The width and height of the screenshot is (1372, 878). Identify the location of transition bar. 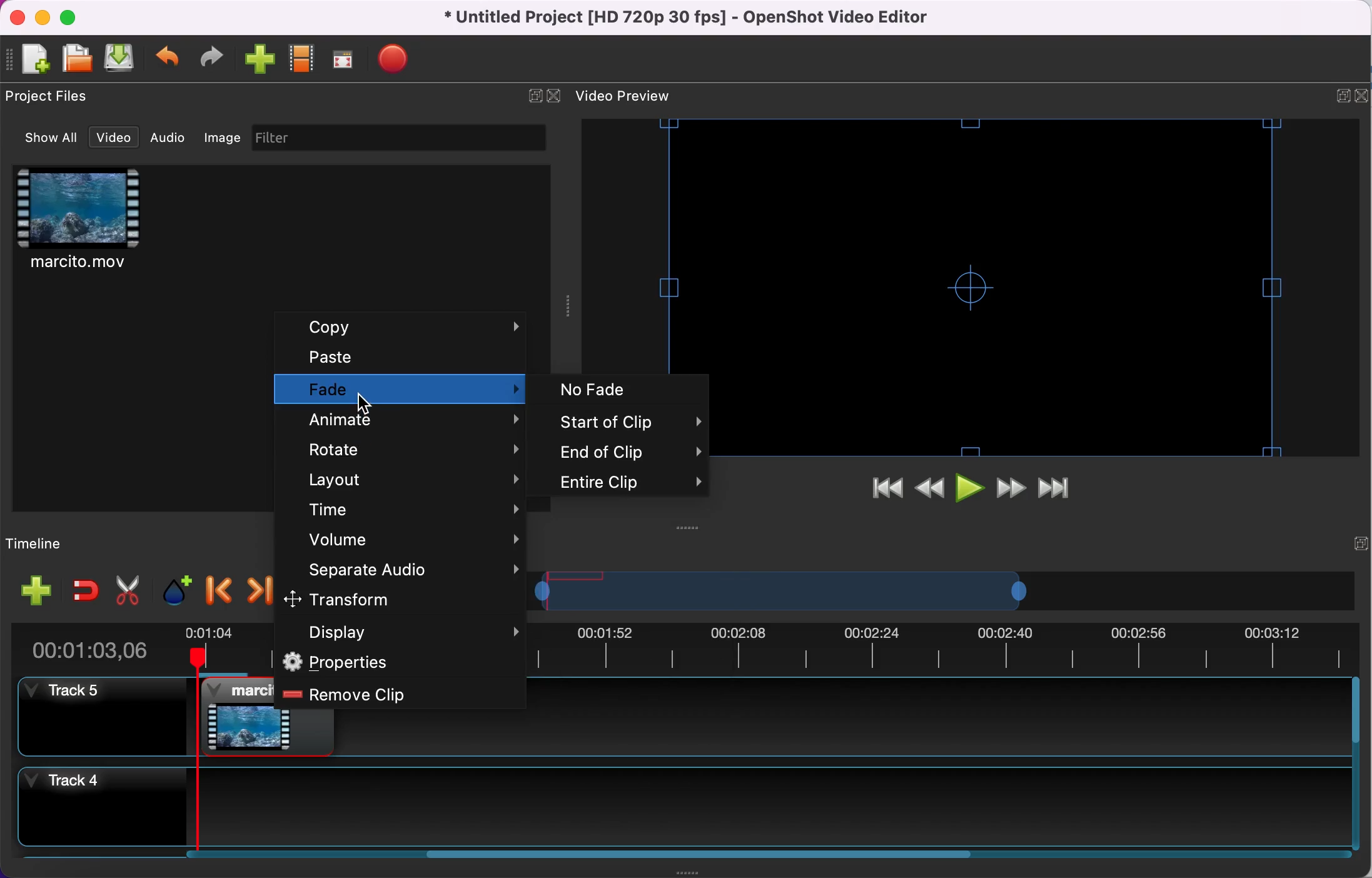
(785, 593).